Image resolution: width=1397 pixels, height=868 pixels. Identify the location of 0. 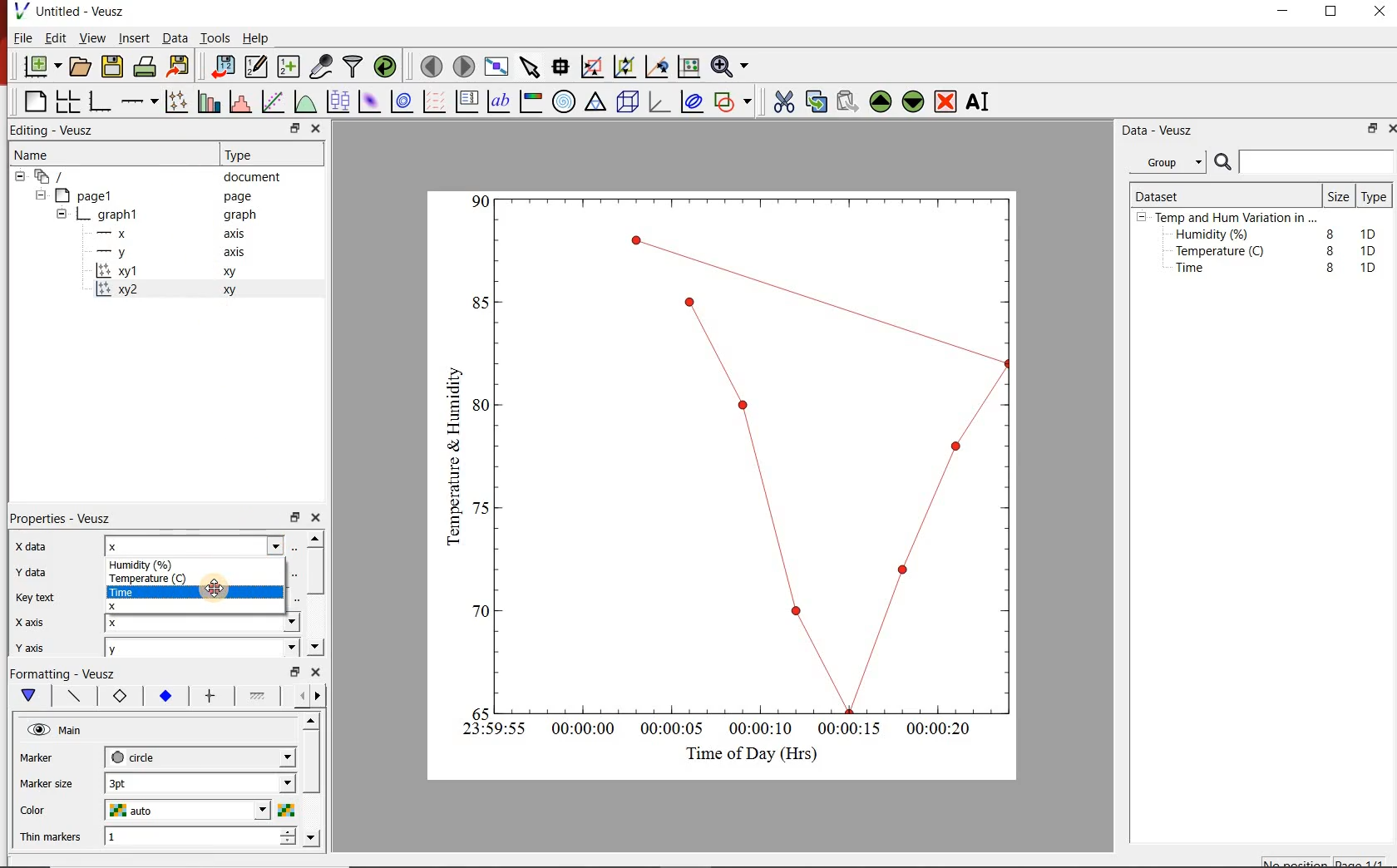
(479, 711).